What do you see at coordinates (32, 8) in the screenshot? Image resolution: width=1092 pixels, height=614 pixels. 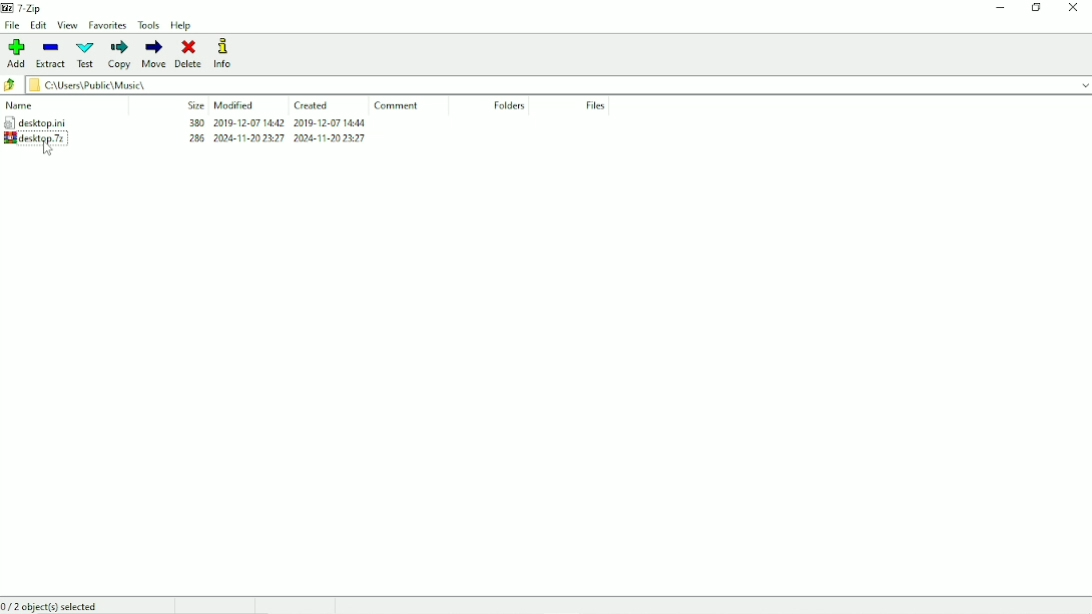 I see `7 - Zip` at bounding box center [32, 8].